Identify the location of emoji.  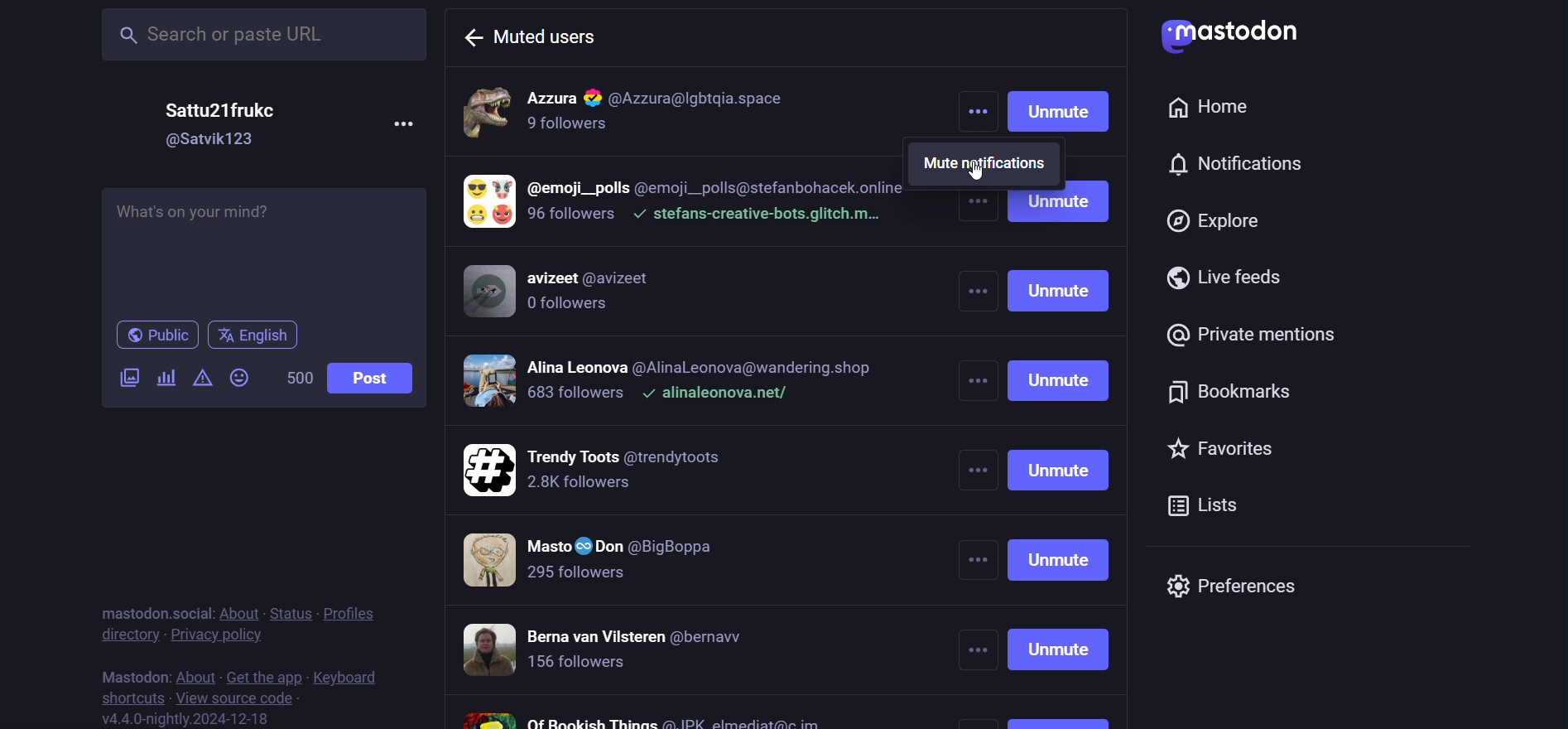
(239, 377).